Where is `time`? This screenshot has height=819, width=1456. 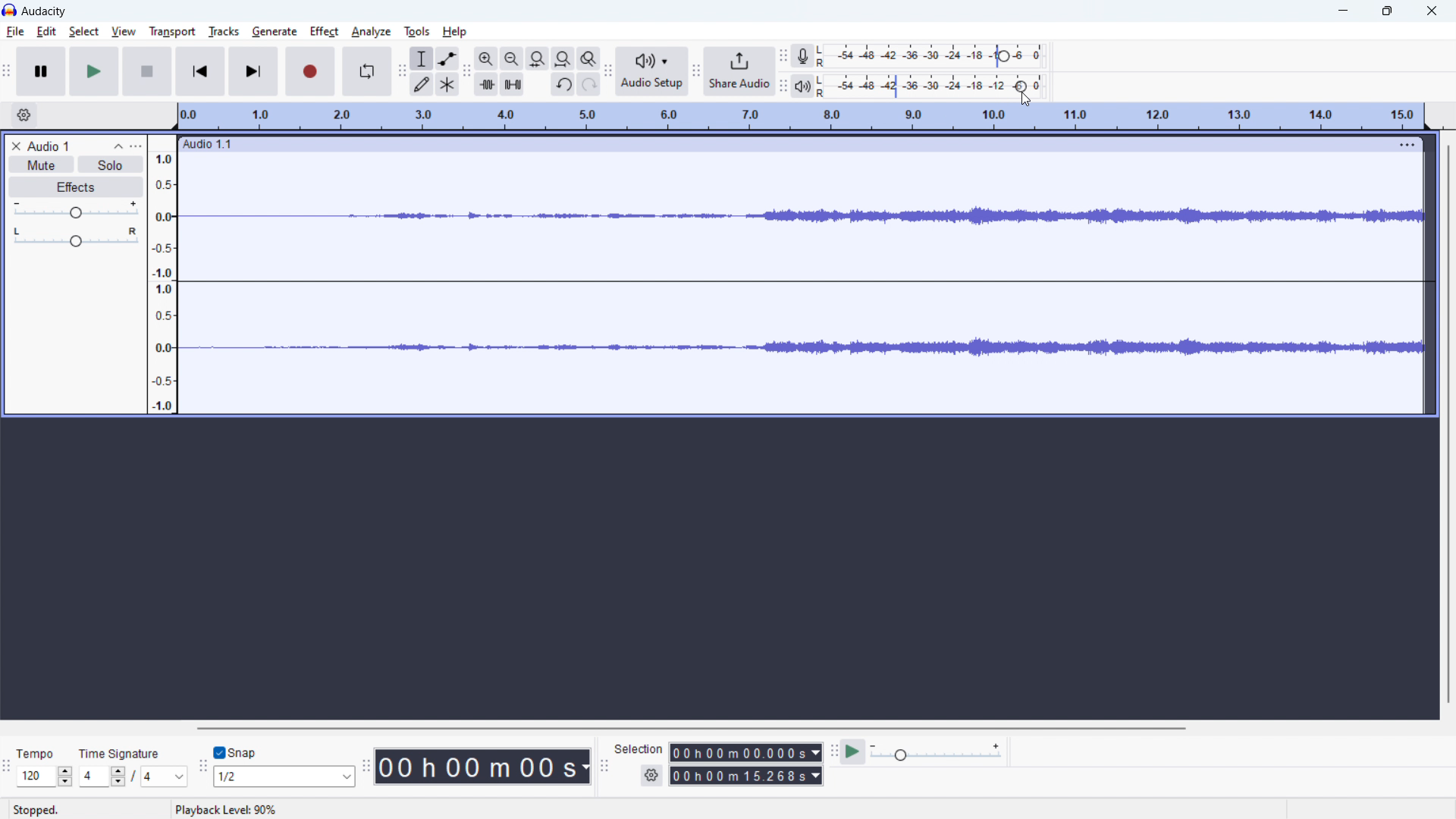 time is located at coordinates (483, 767).